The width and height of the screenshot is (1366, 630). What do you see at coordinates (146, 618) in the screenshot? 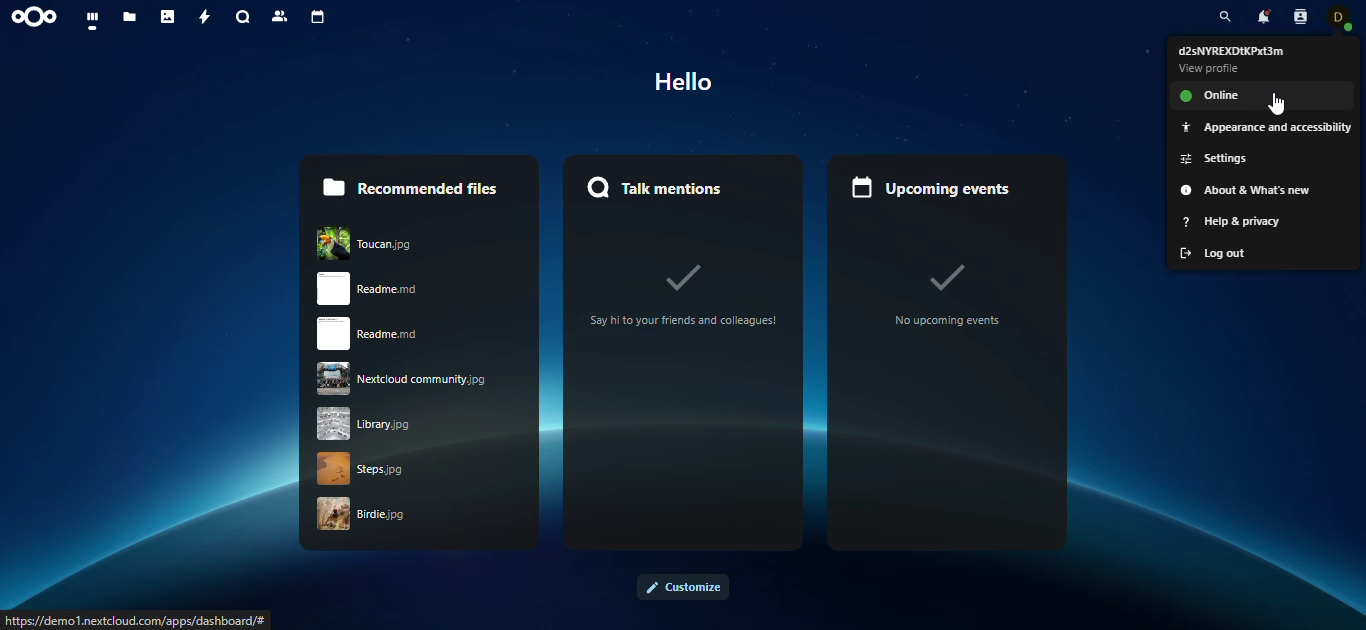
I see `PTE] VA Sr PRN TO Temes` at bounding box center [146, 618].